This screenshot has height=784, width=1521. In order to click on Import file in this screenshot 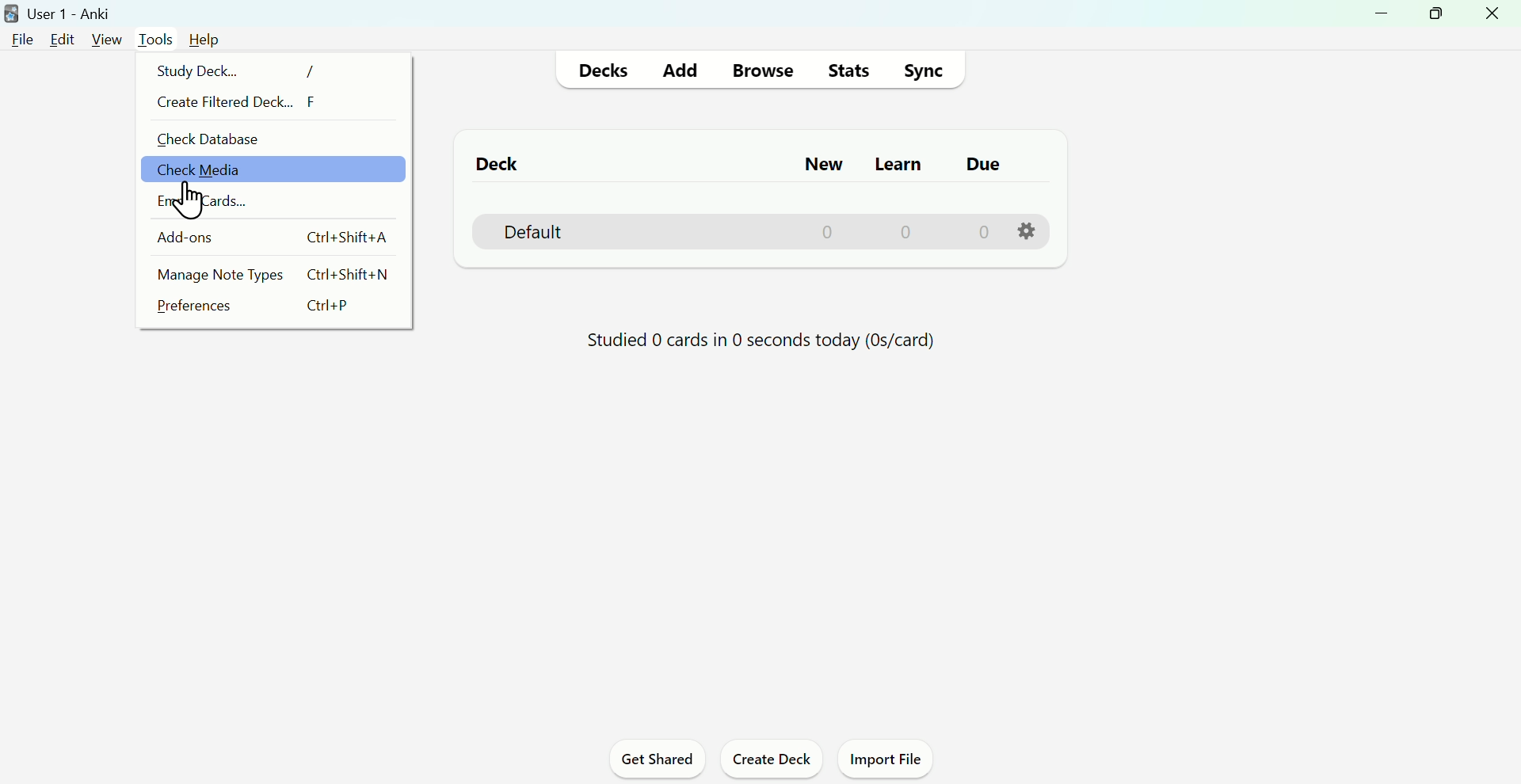, I will do `click(888, 759)`.